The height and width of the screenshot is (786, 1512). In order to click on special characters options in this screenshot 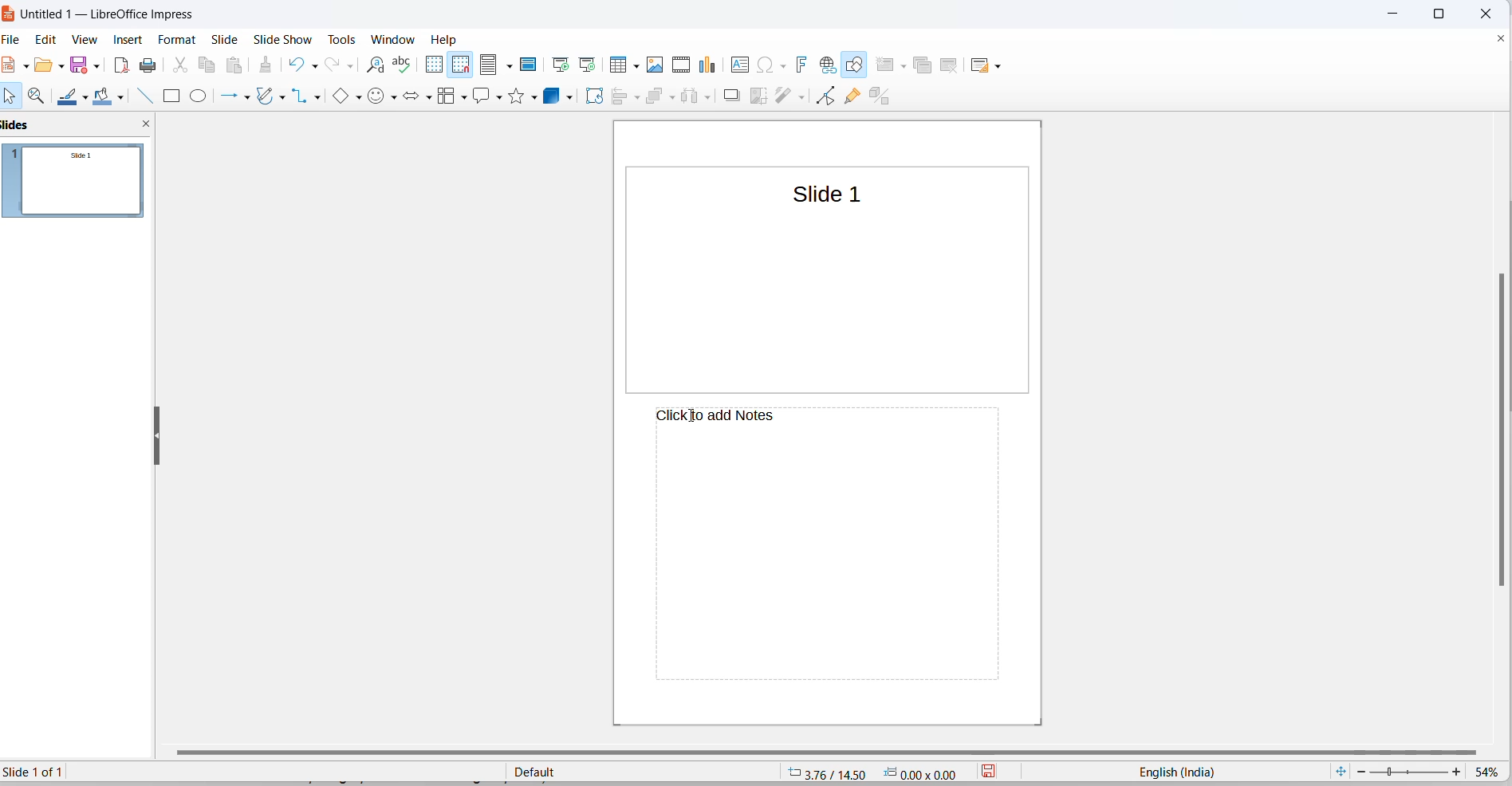, I will do `click(782, 64)`.